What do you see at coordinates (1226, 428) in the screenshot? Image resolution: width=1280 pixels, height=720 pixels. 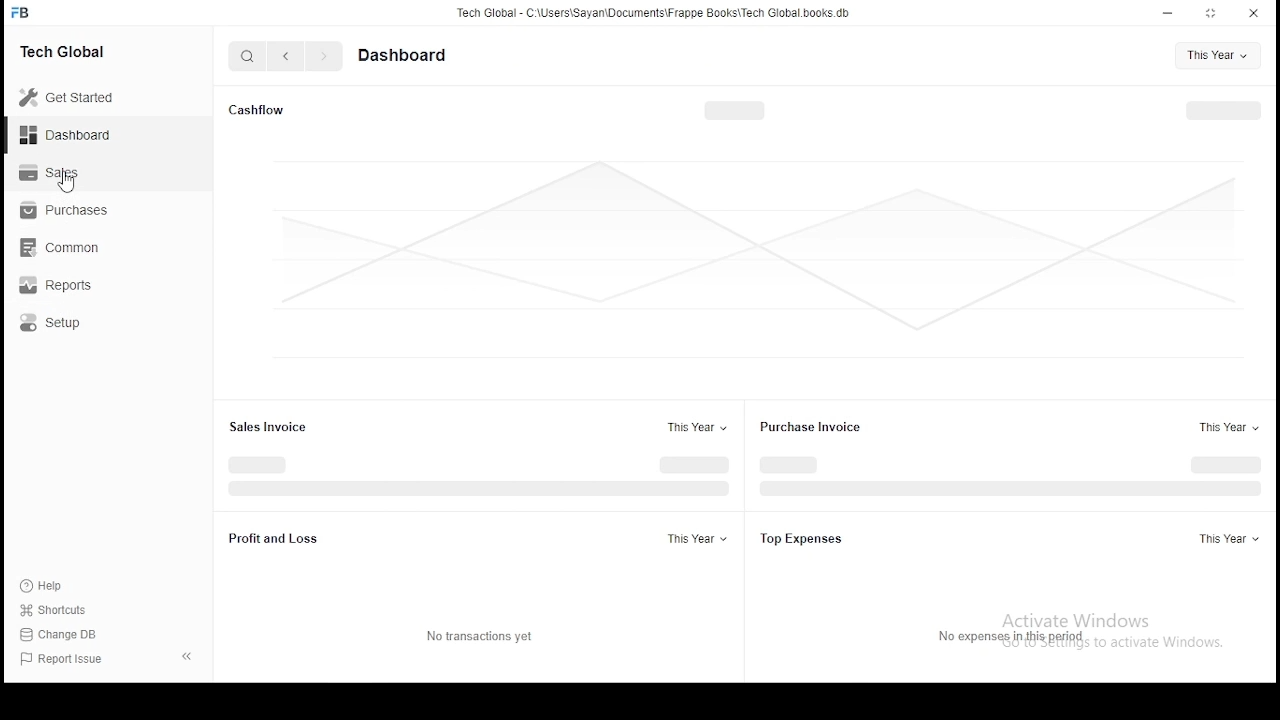 I see `this year` at bounding box center [1226, 428].